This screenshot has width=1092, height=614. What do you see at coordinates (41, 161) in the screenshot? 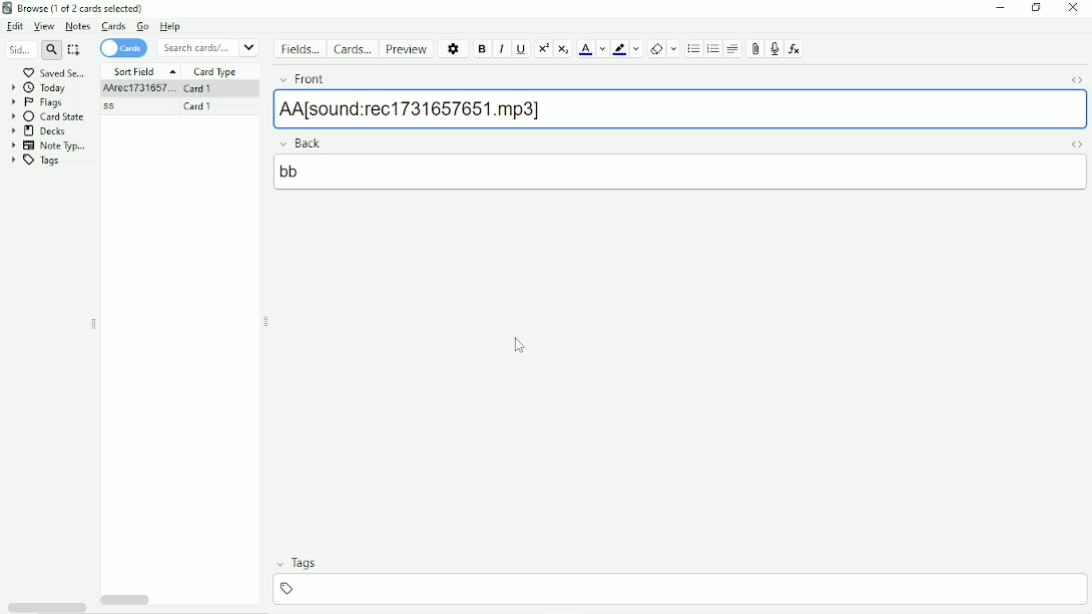
I see `Tags` at bounding box center [41, 161].